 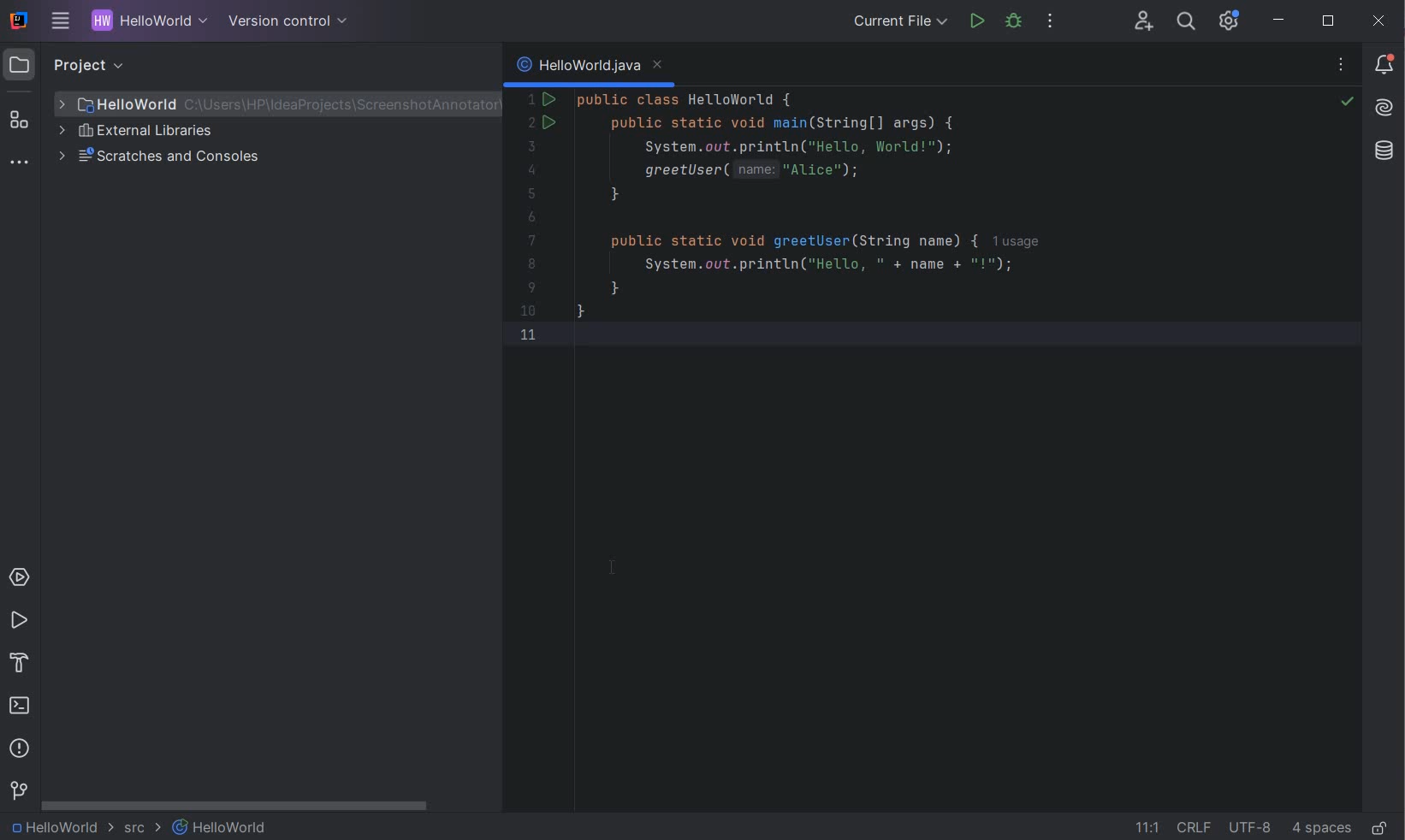 I want to click on FILE NAME, so click(x=221, y=827).